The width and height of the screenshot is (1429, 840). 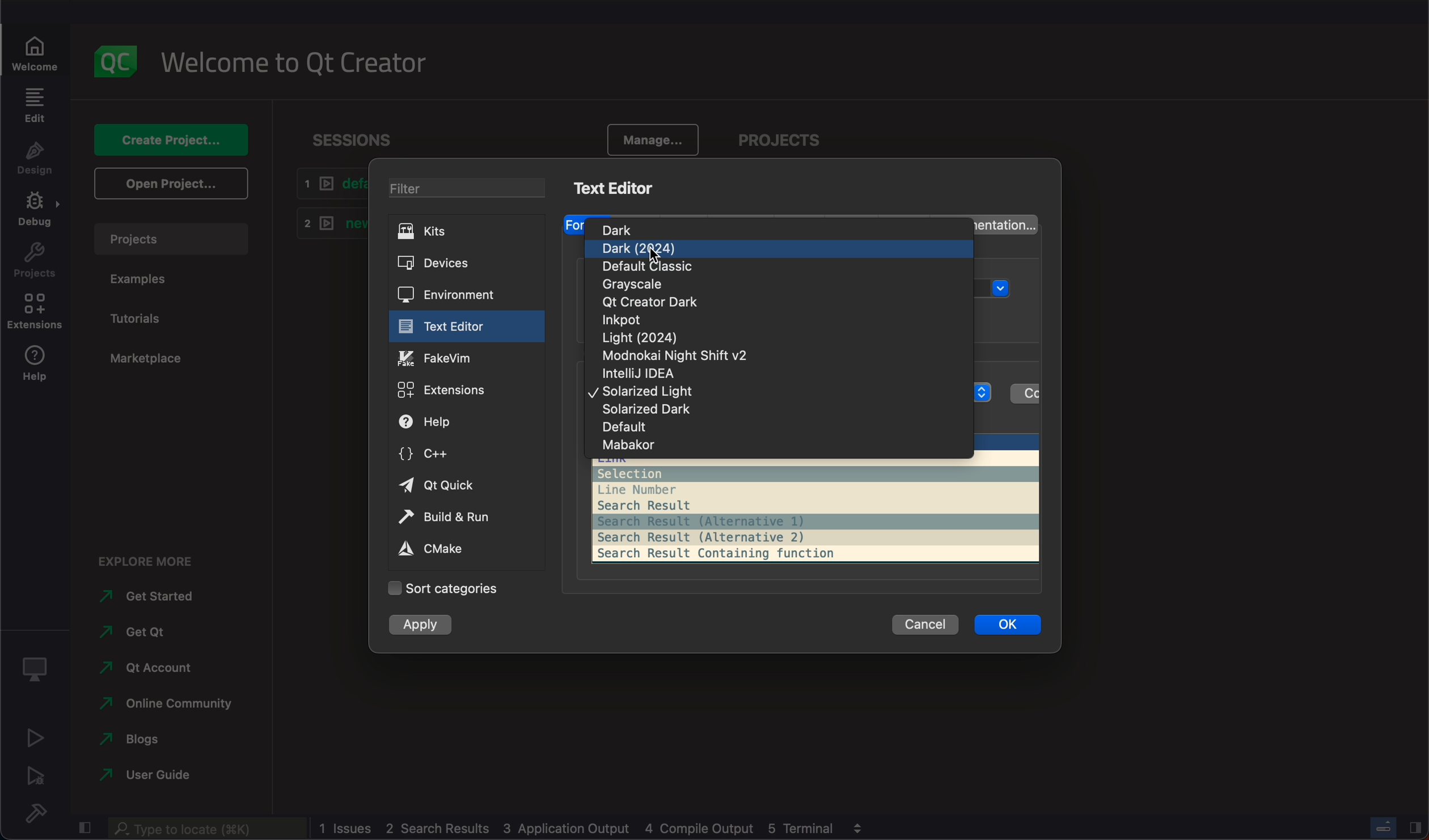 I want to click on default, so click(x=644, y=427).